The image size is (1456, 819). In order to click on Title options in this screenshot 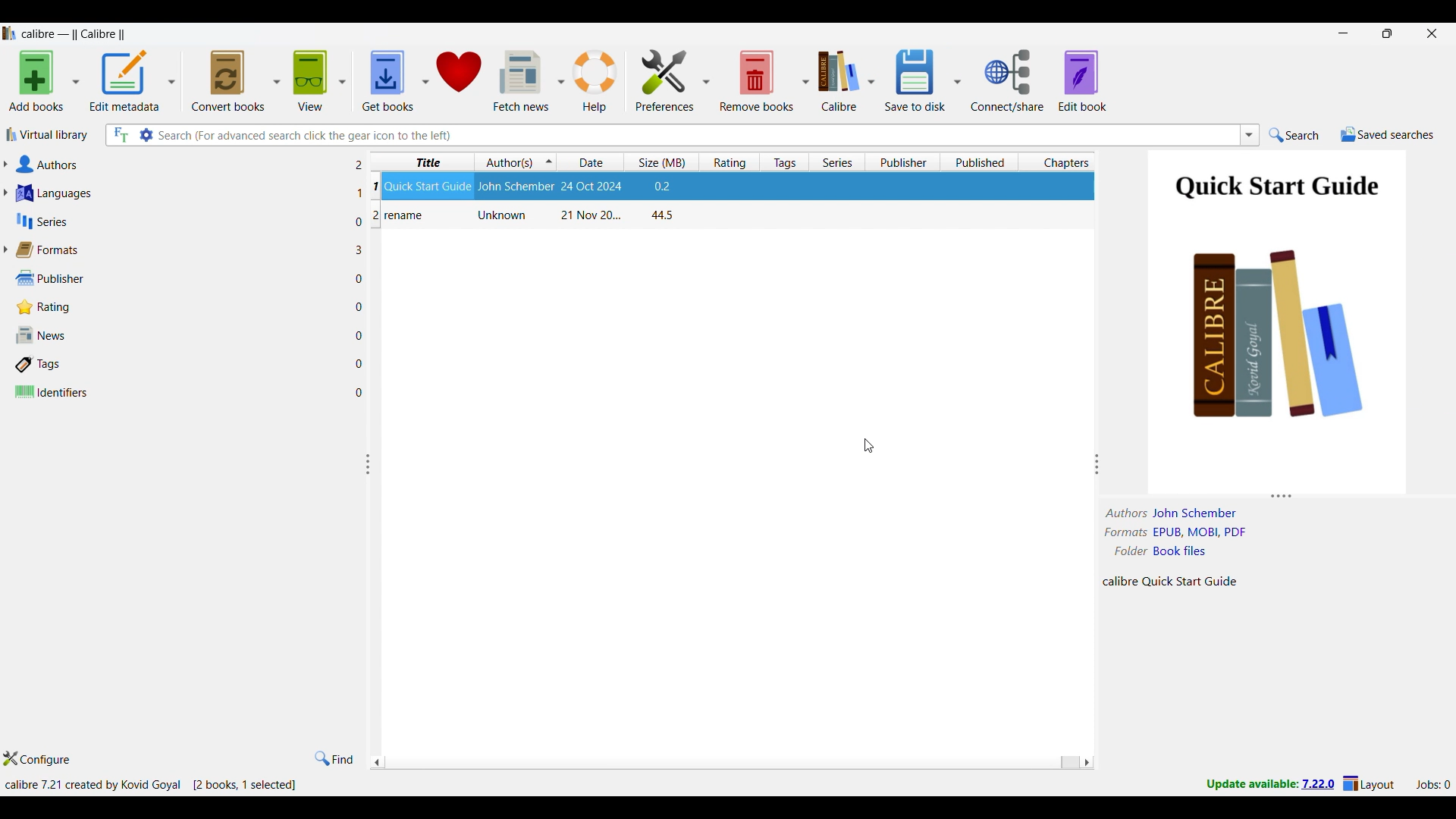, I will do `click(426, 161)`.